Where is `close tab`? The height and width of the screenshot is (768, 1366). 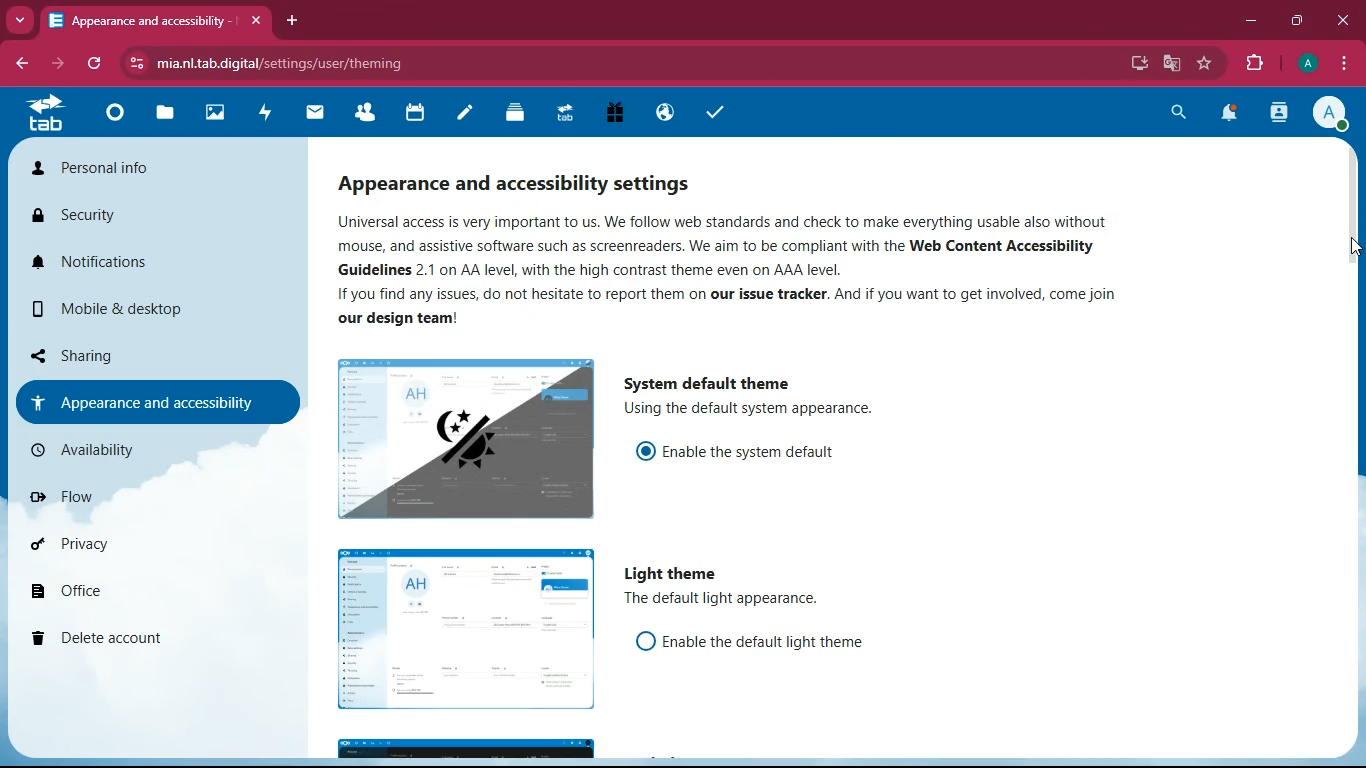
close tab is located at coordinates (256, 23).